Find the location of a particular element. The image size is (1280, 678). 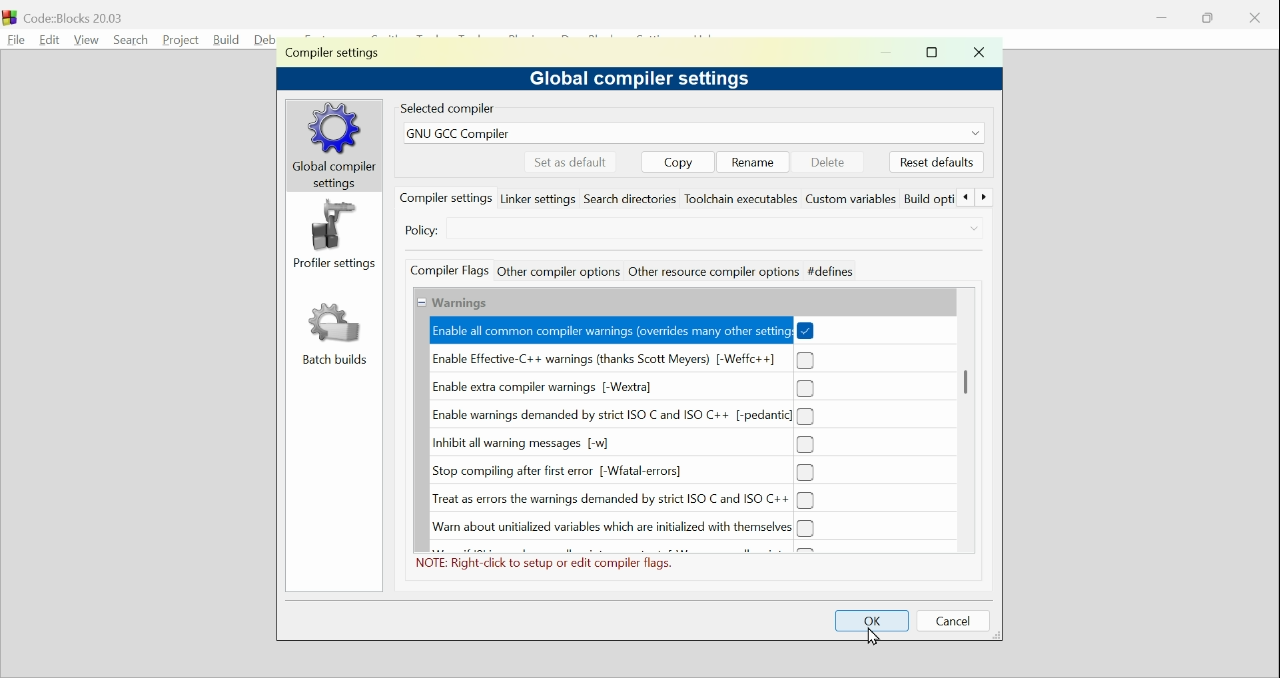

Cursor is located at coordinates (873, 638).